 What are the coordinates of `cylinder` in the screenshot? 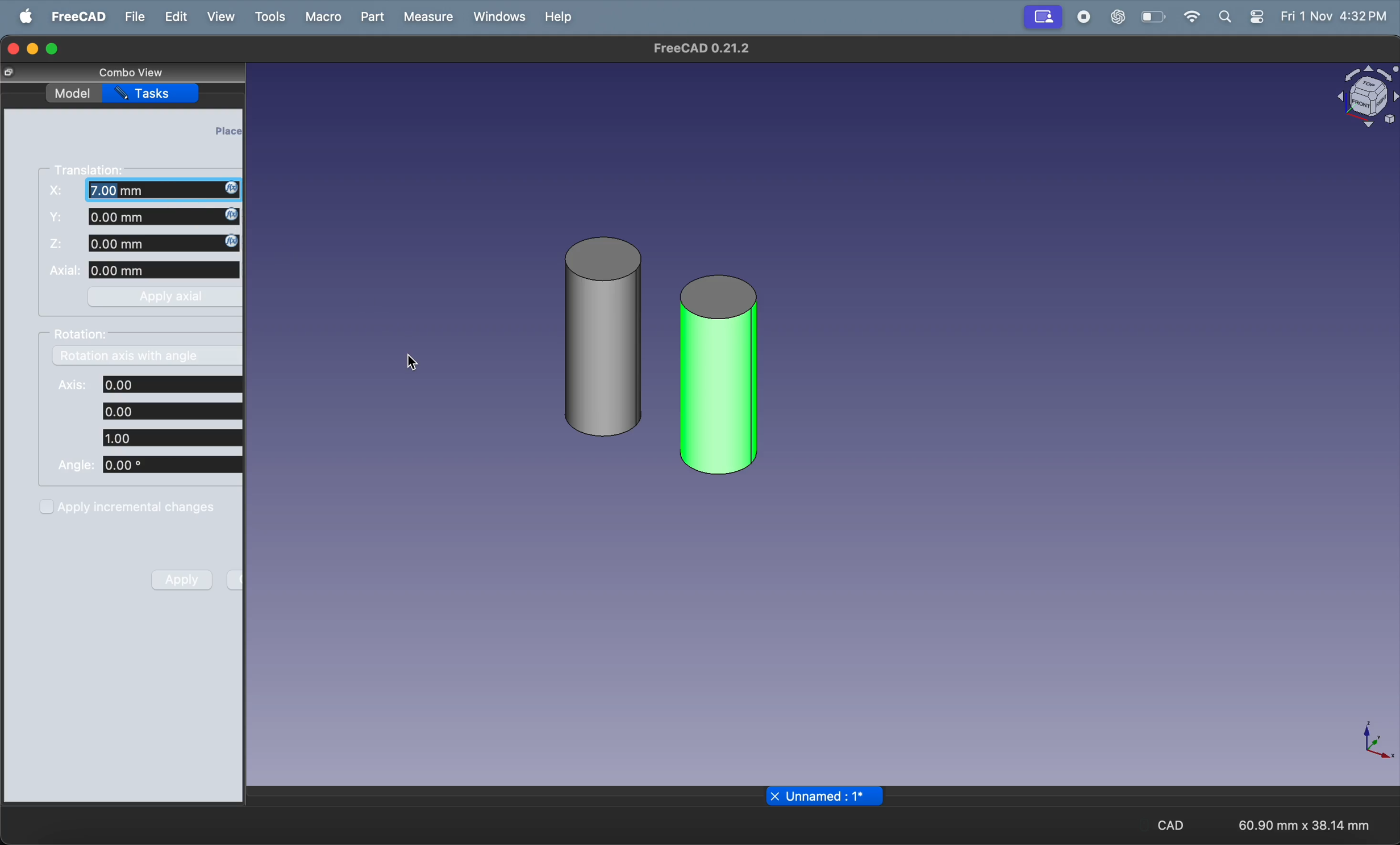 It's located at (602, 334).